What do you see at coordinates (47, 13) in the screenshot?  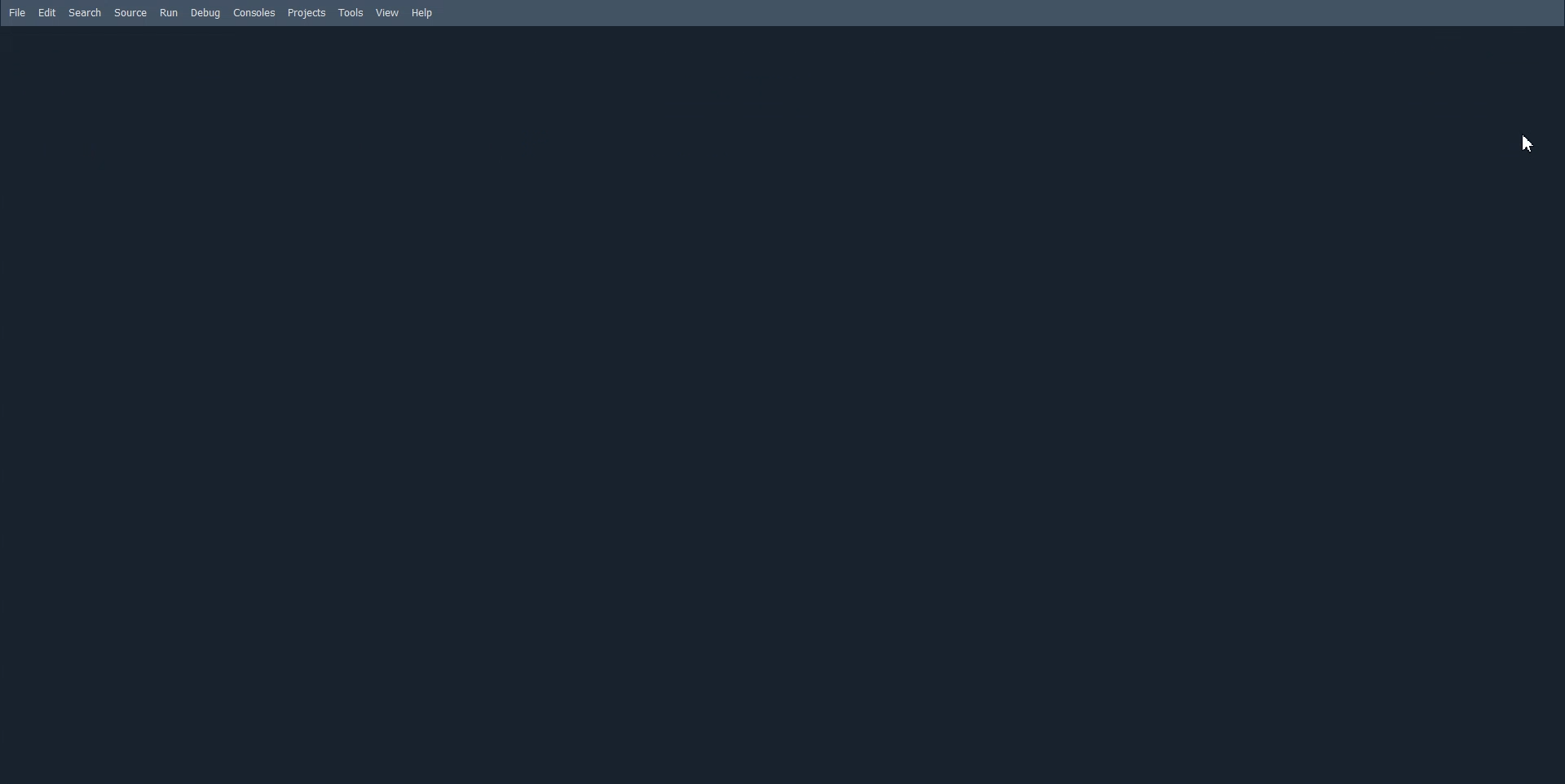 I see `Edit` at bounding box center [47, 13].